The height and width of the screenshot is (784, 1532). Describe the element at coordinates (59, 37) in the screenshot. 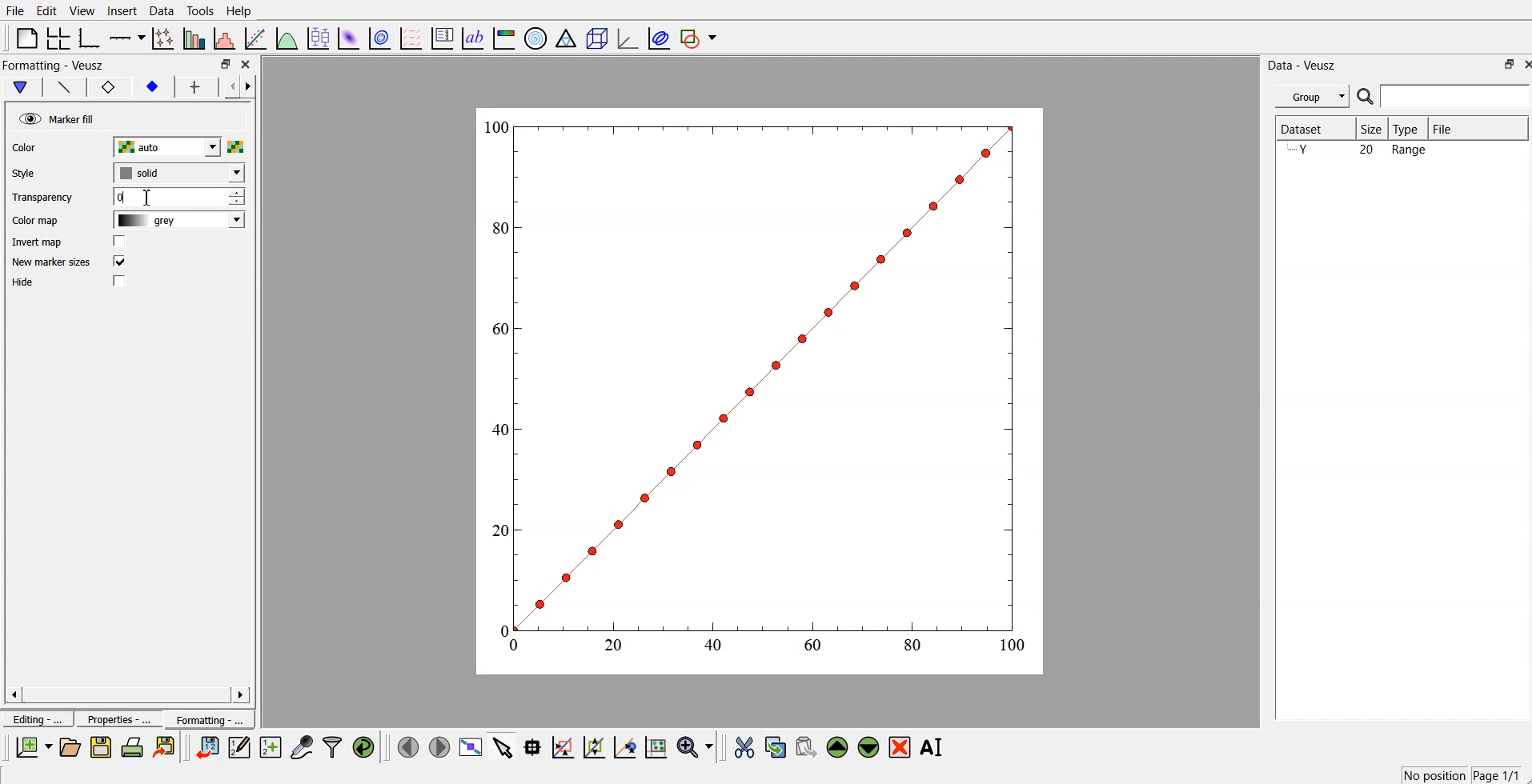

I see `arrange a graph in a grid` at that location.